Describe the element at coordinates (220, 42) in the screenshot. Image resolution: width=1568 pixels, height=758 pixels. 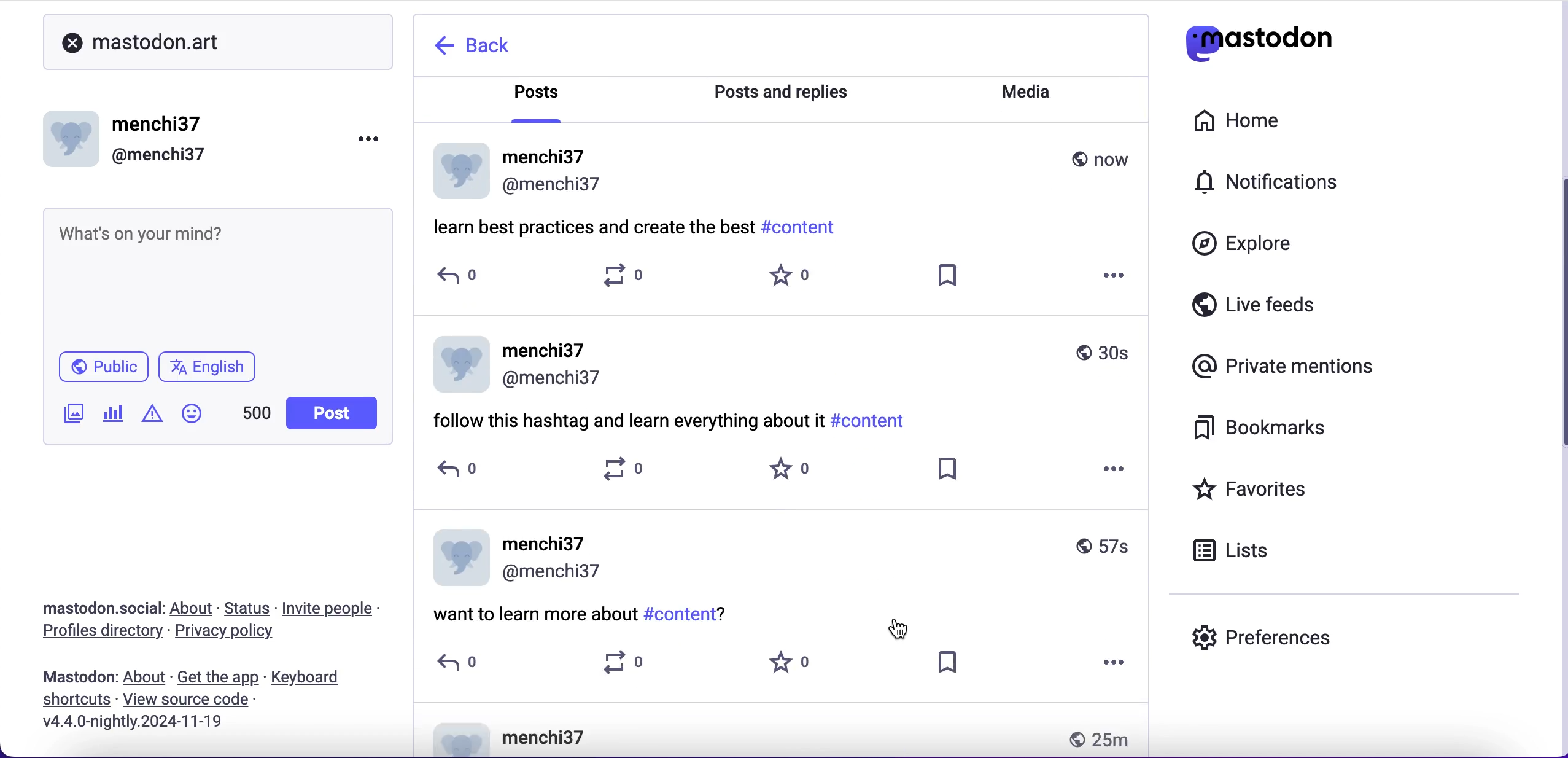
I see `mastodon.art` at that location.